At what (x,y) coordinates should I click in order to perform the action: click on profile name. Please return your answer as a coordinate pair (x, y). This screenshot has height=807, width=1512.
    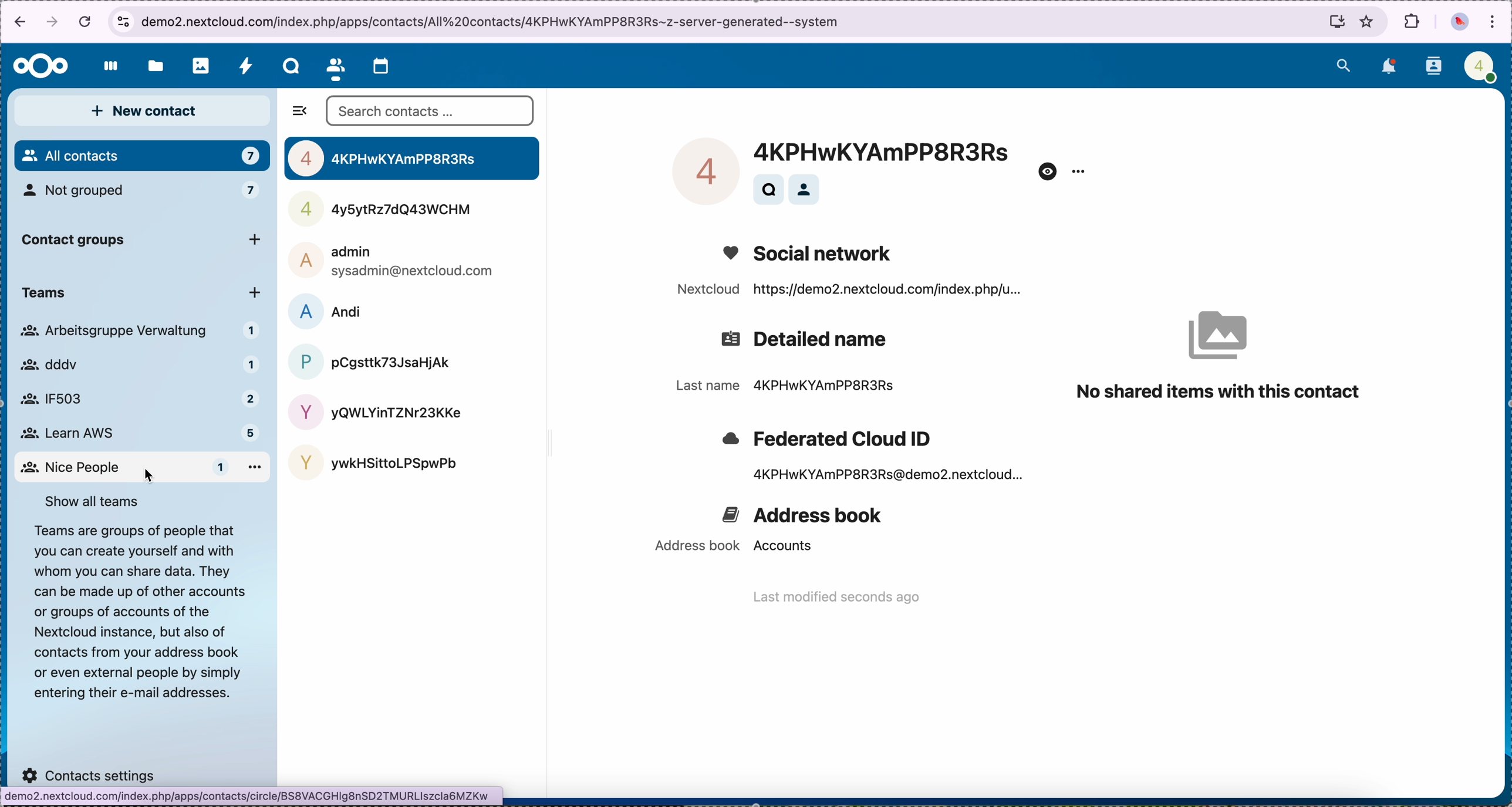
    Looking at the image, I should click on (889, 149).